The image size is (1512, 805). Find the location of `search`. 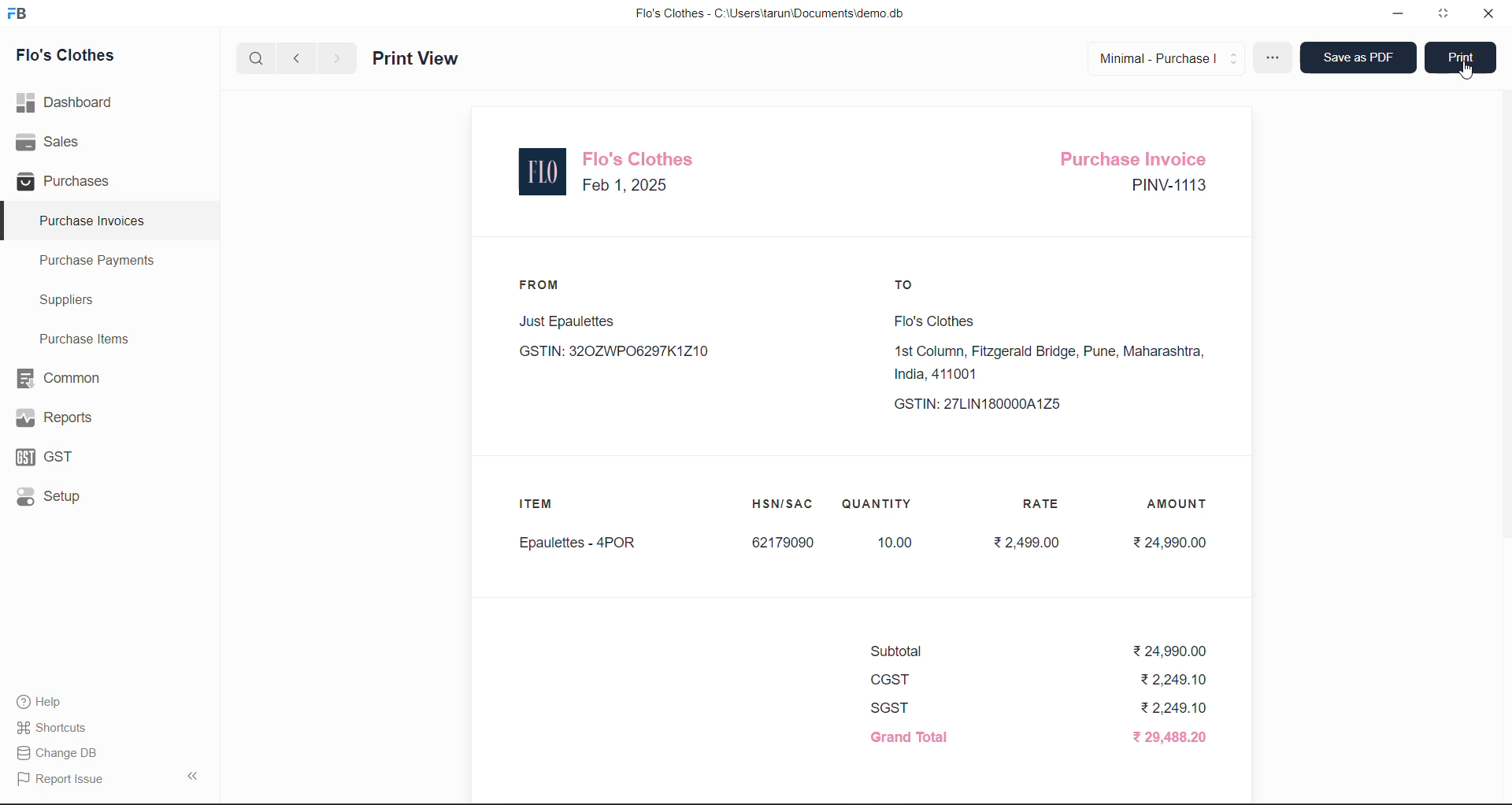

search is located at coordinates (258, 58).